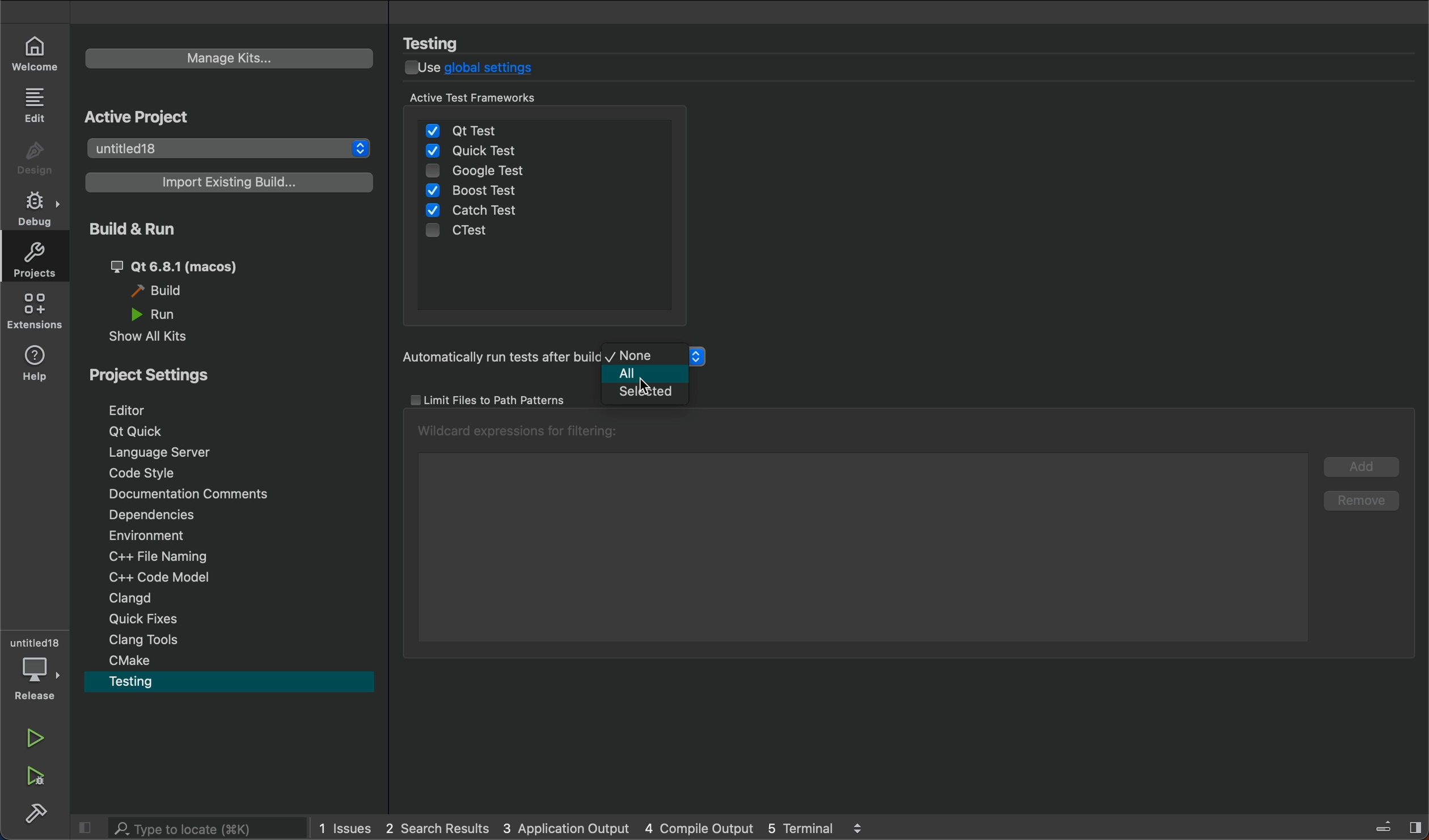 Image resolution: width=1429 pixels, height=840 pixels. I want to click on active test, so click(498, 97).